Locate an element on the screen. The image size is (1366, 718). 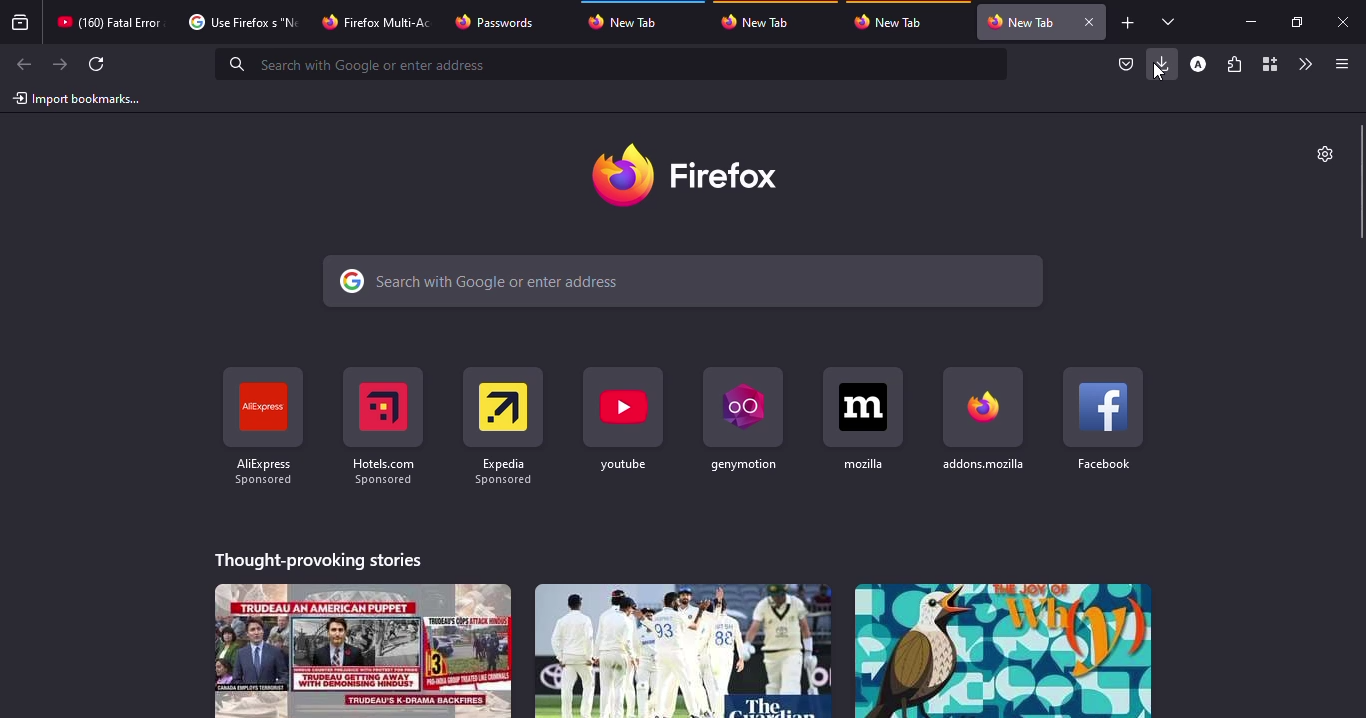
shortcut is located at coordinates (382, 425).